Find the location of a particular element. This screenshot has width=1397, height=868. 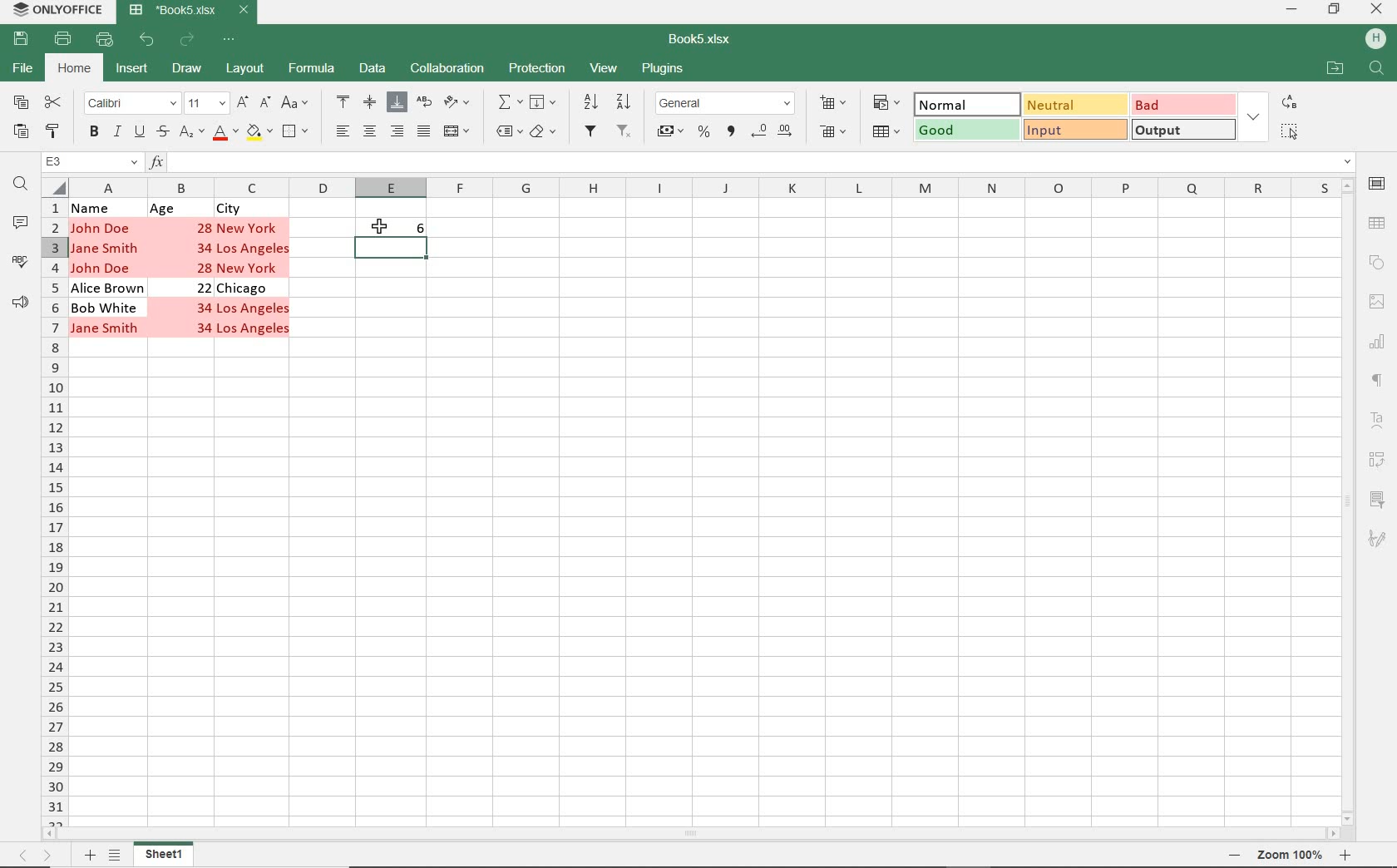

PASTE is located at coordinates (19, 133).